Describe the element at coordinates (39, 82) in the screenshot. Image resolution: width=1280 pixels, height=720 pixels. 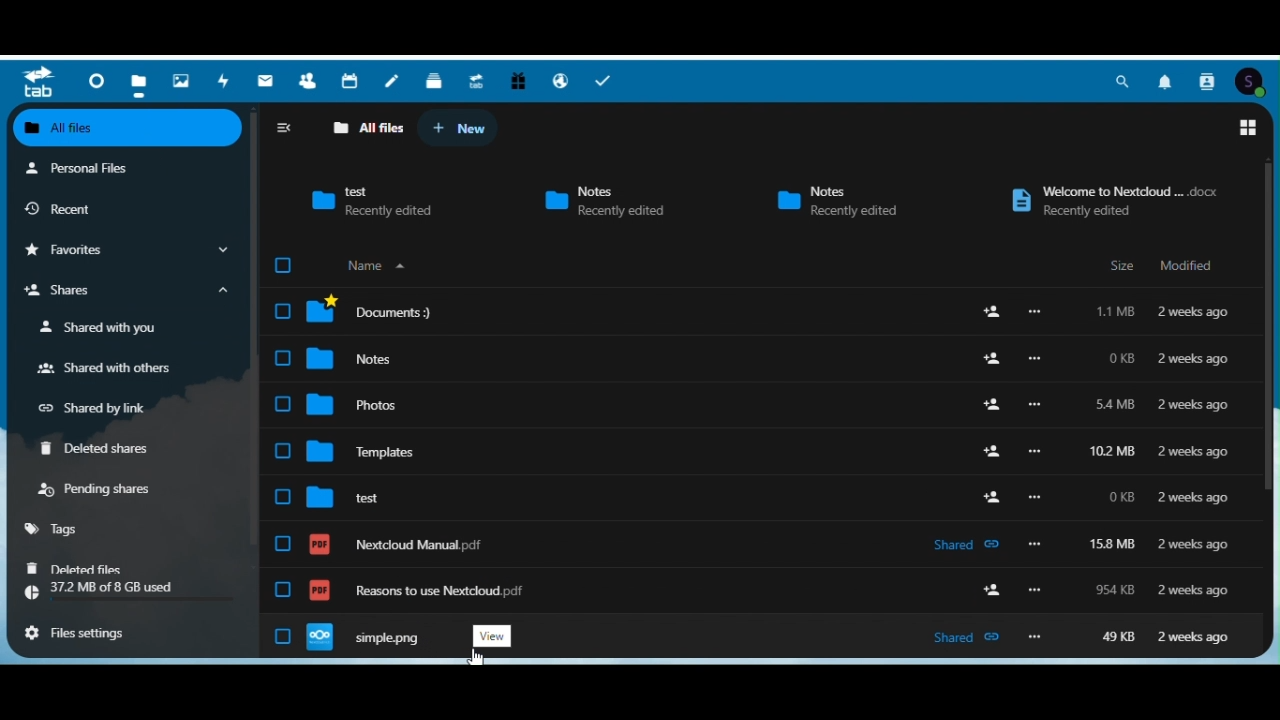
I see `tab` at that location.